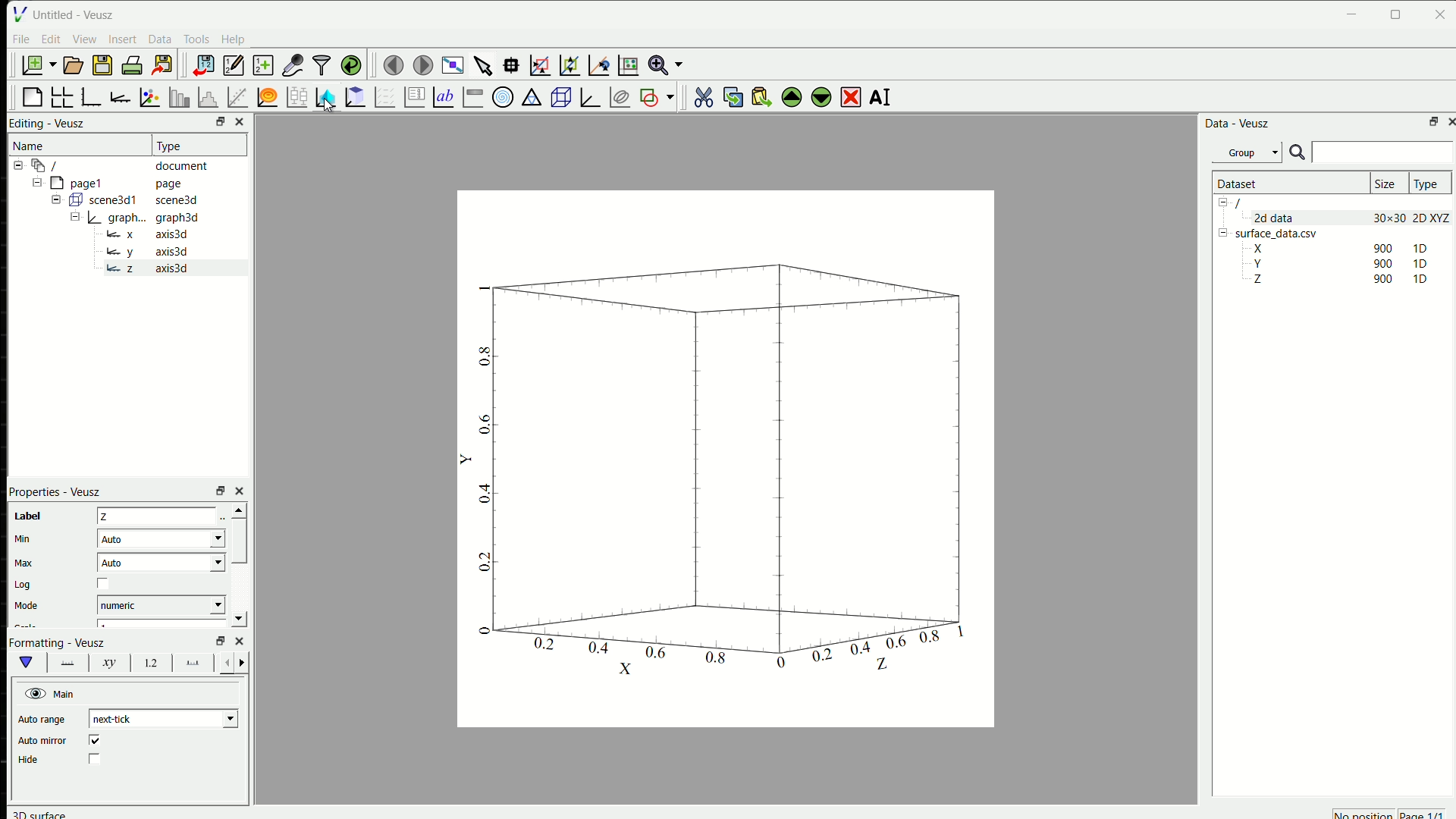 The width and height of the screenshot is (1456, 819). I want to click on plot bar charts , so click(180, 96).